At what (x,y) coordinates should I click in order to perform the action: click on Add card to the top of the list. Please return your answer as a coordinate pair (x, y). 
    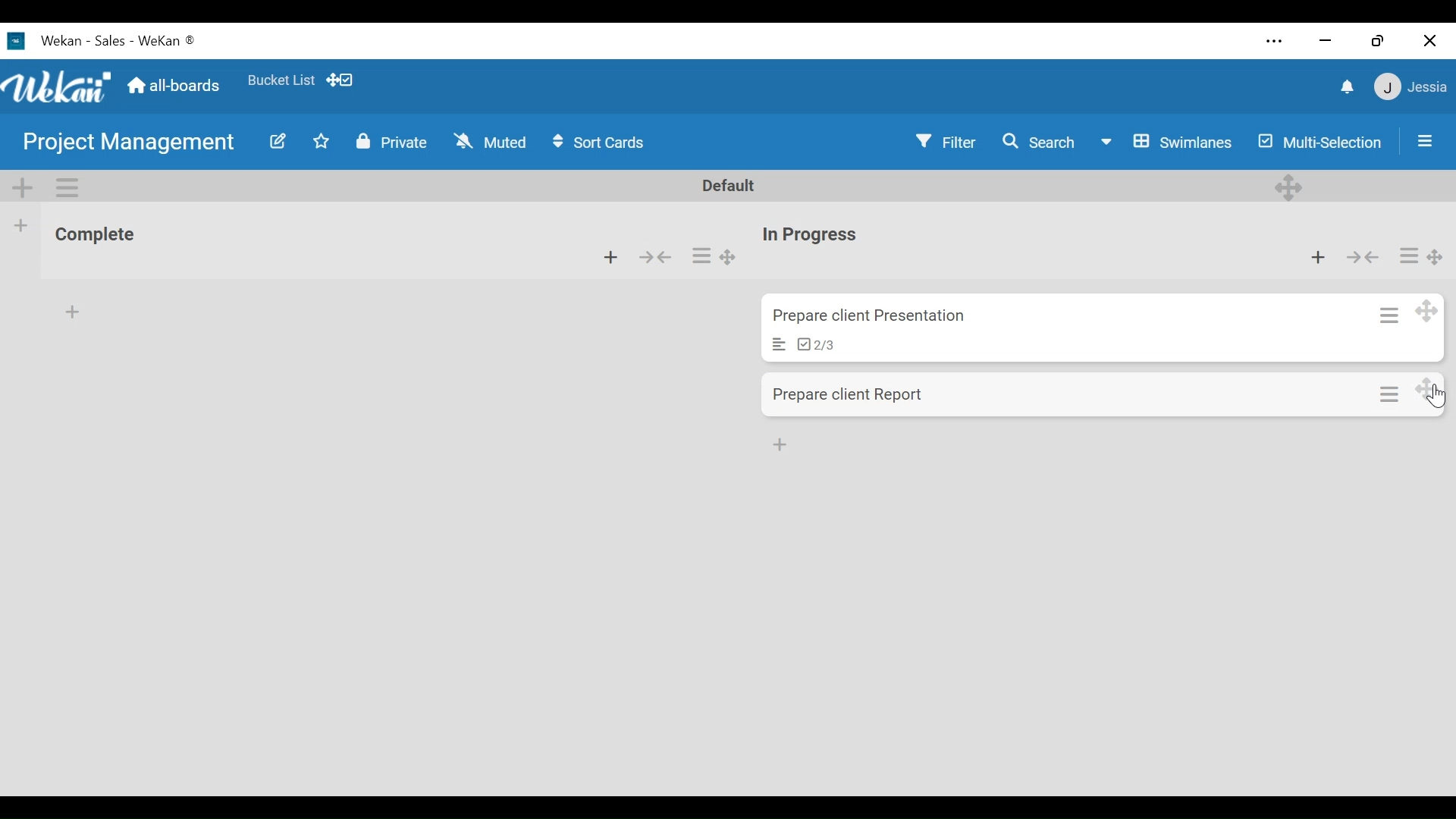
    Looking at the image, I should click on (612, 257).